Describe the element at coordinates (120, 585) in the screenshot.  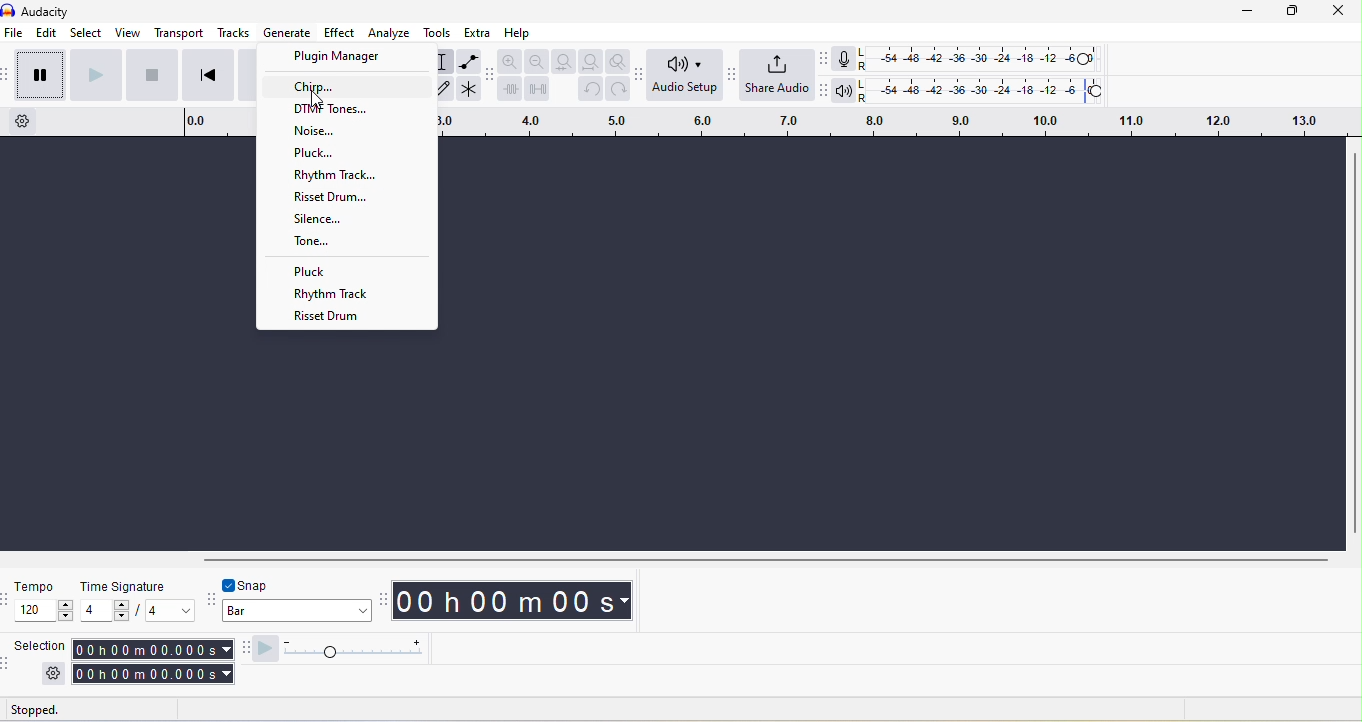
I see `time signature` at that location.